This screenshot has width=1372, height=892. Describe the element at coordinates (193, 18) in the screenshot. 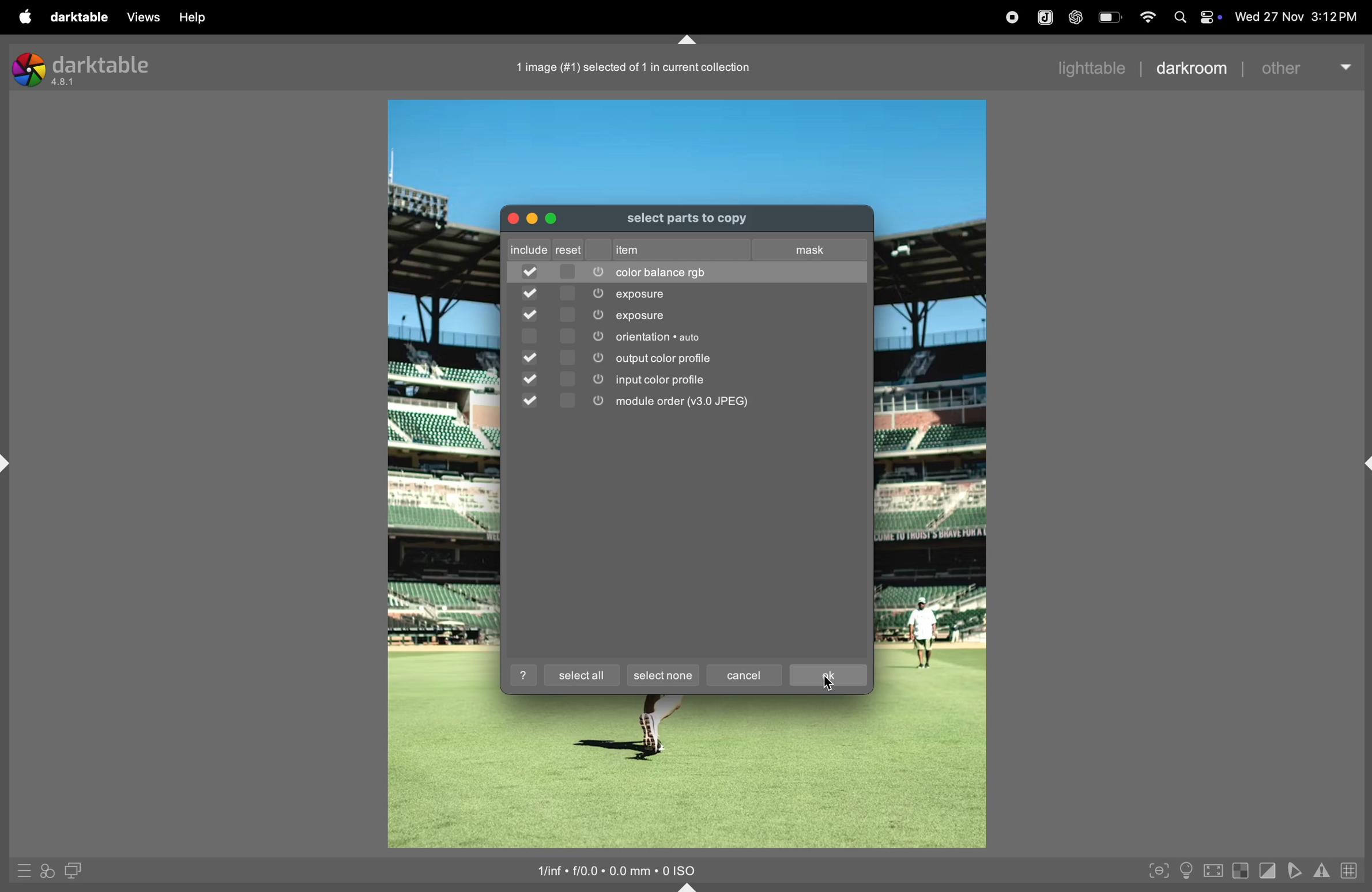

I see `help` at that location.